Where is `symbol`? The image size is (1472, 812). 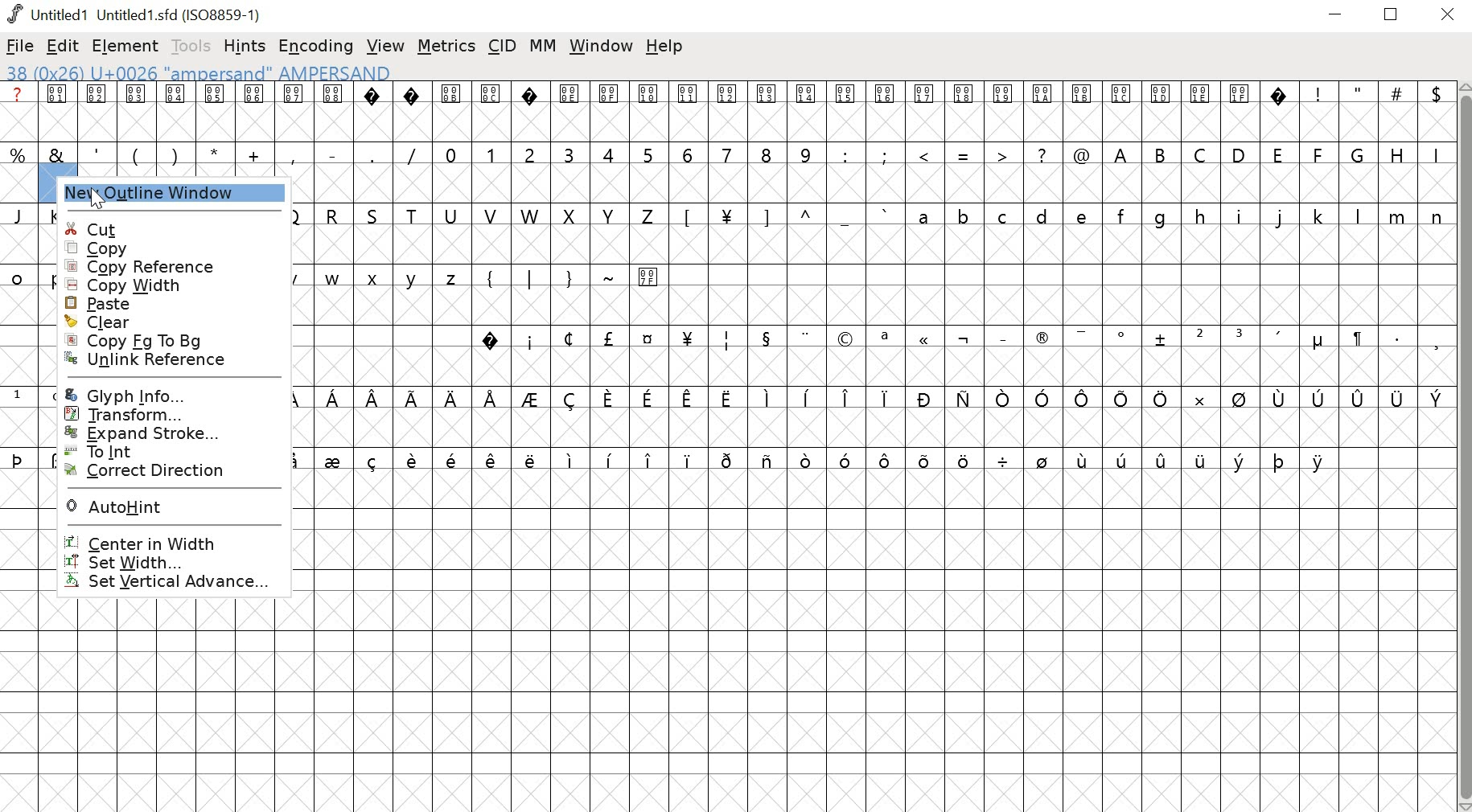 symbol is located at coordinates (1082, 335).